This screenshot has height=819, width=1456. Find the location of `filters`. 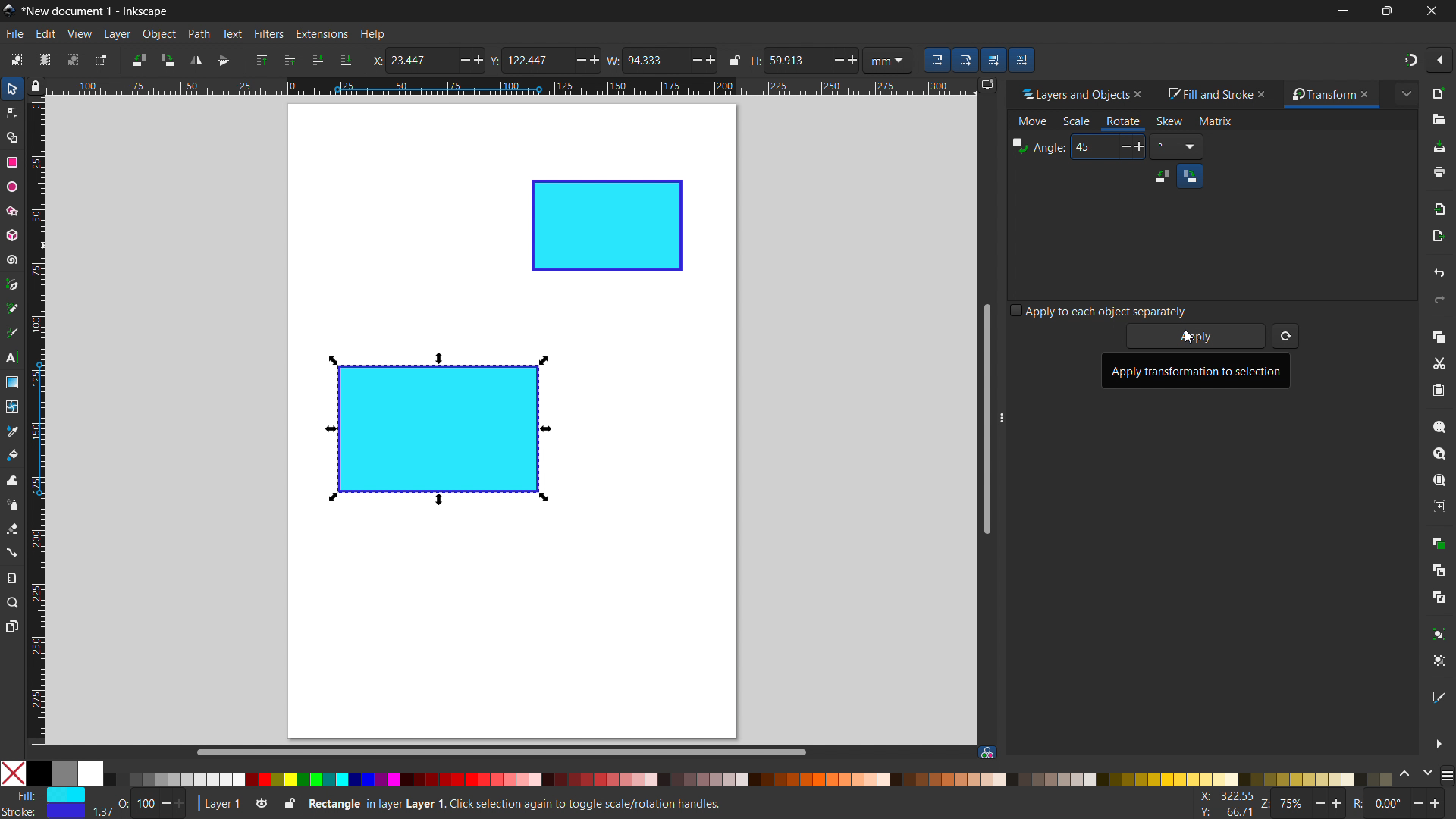

filters is located at coordinates (269, 33).